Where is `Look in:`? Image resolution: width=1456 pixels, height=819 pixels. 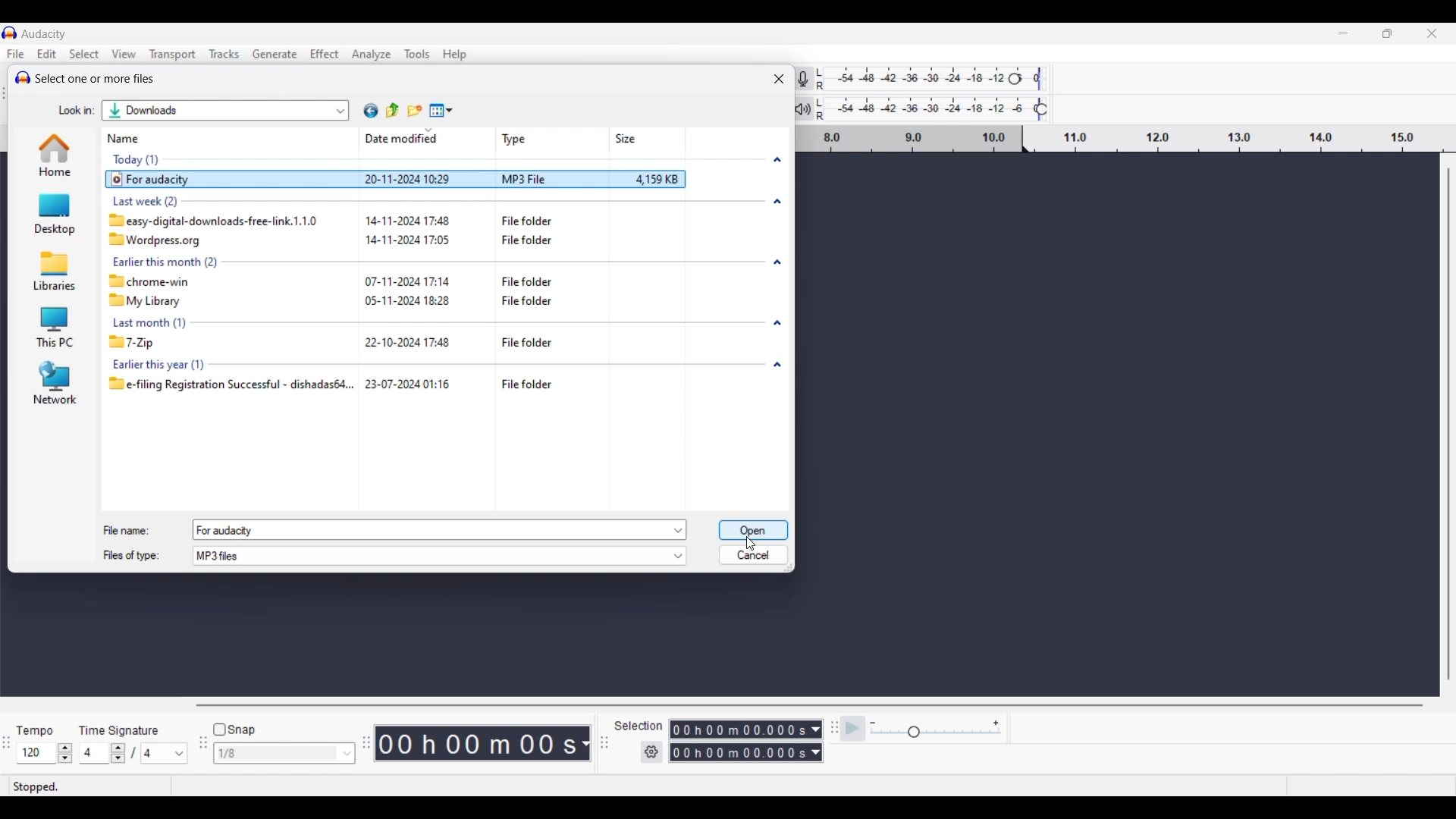 Look in: is located at coordinates (71, 108).